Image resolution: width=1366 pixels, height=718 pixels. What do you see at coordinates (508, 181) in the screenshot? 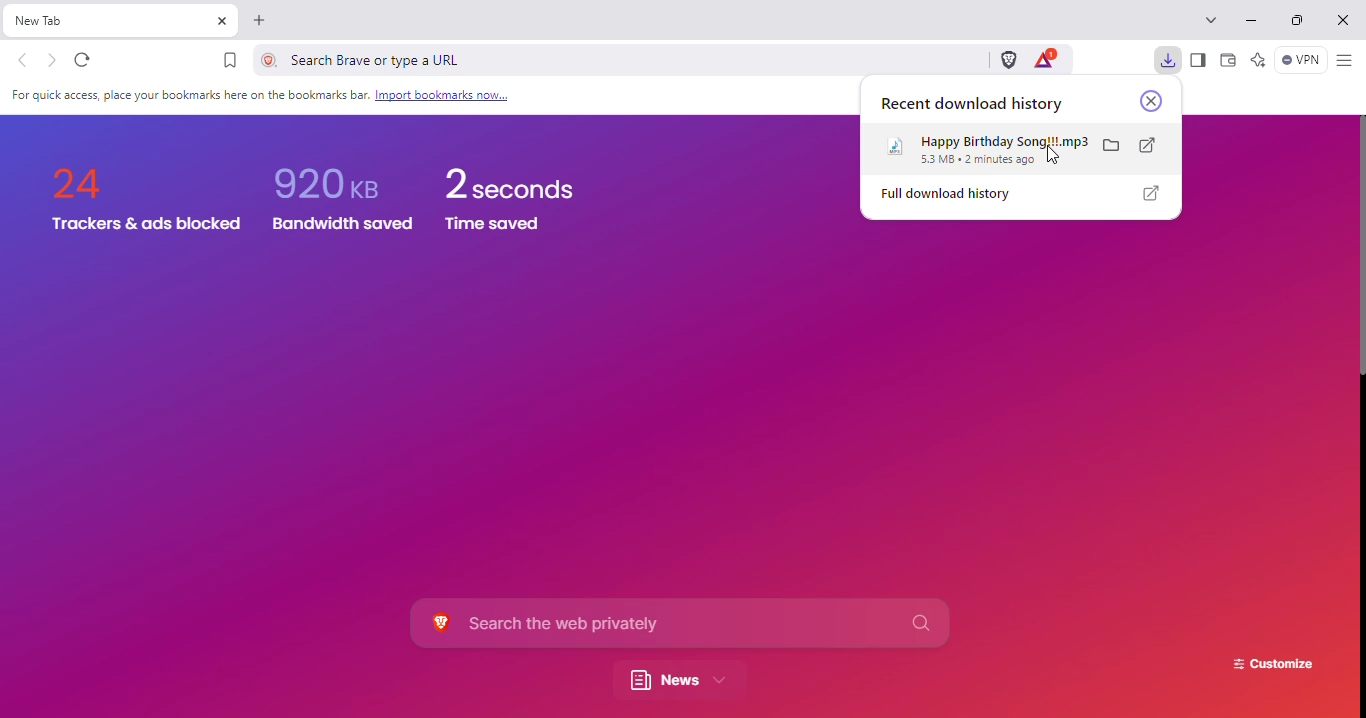
I see `2 seconds time saved` at bounding box center [508, 181].